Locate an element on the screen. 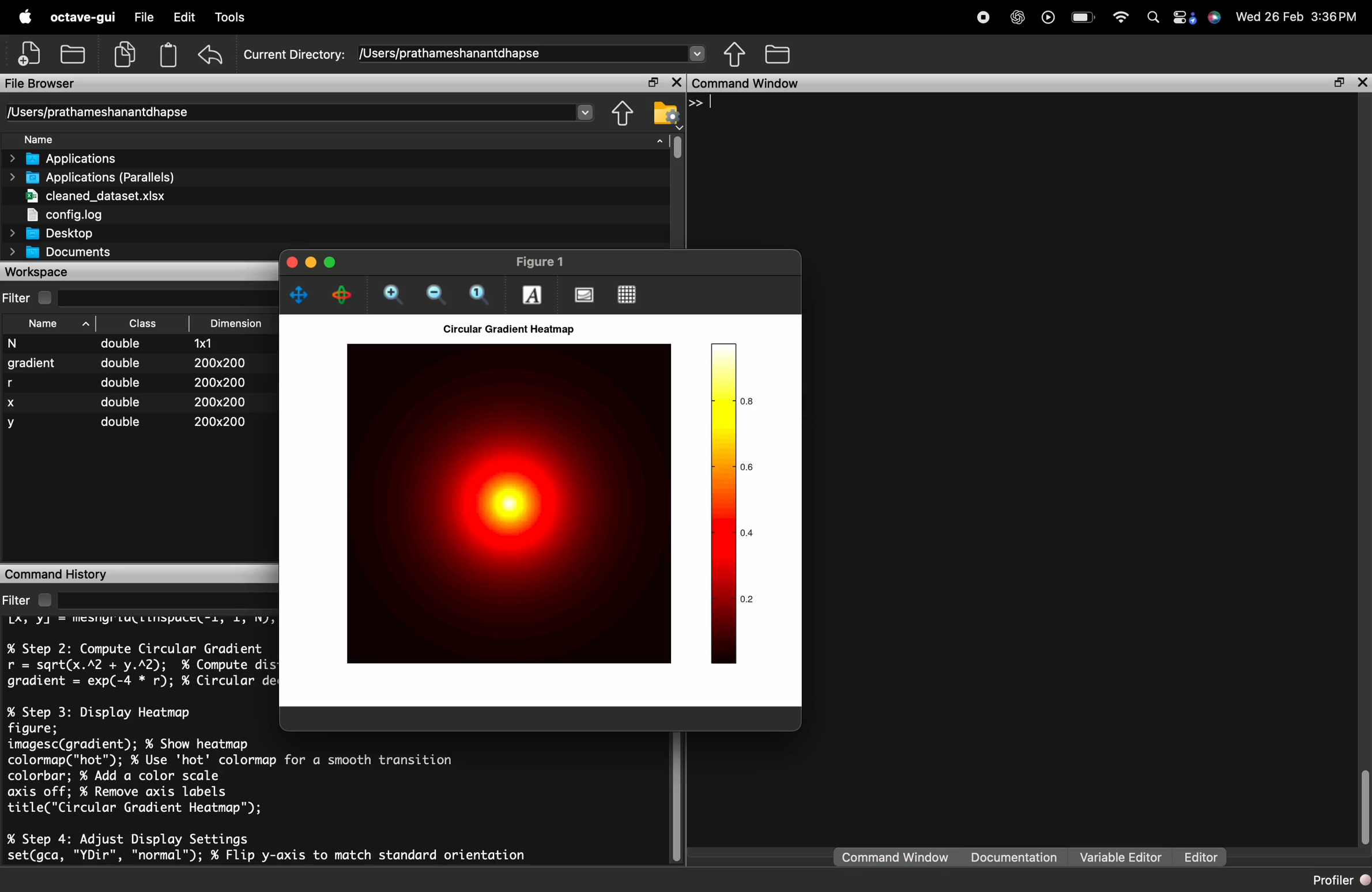  Insert text is located at coordinates (532, 295).